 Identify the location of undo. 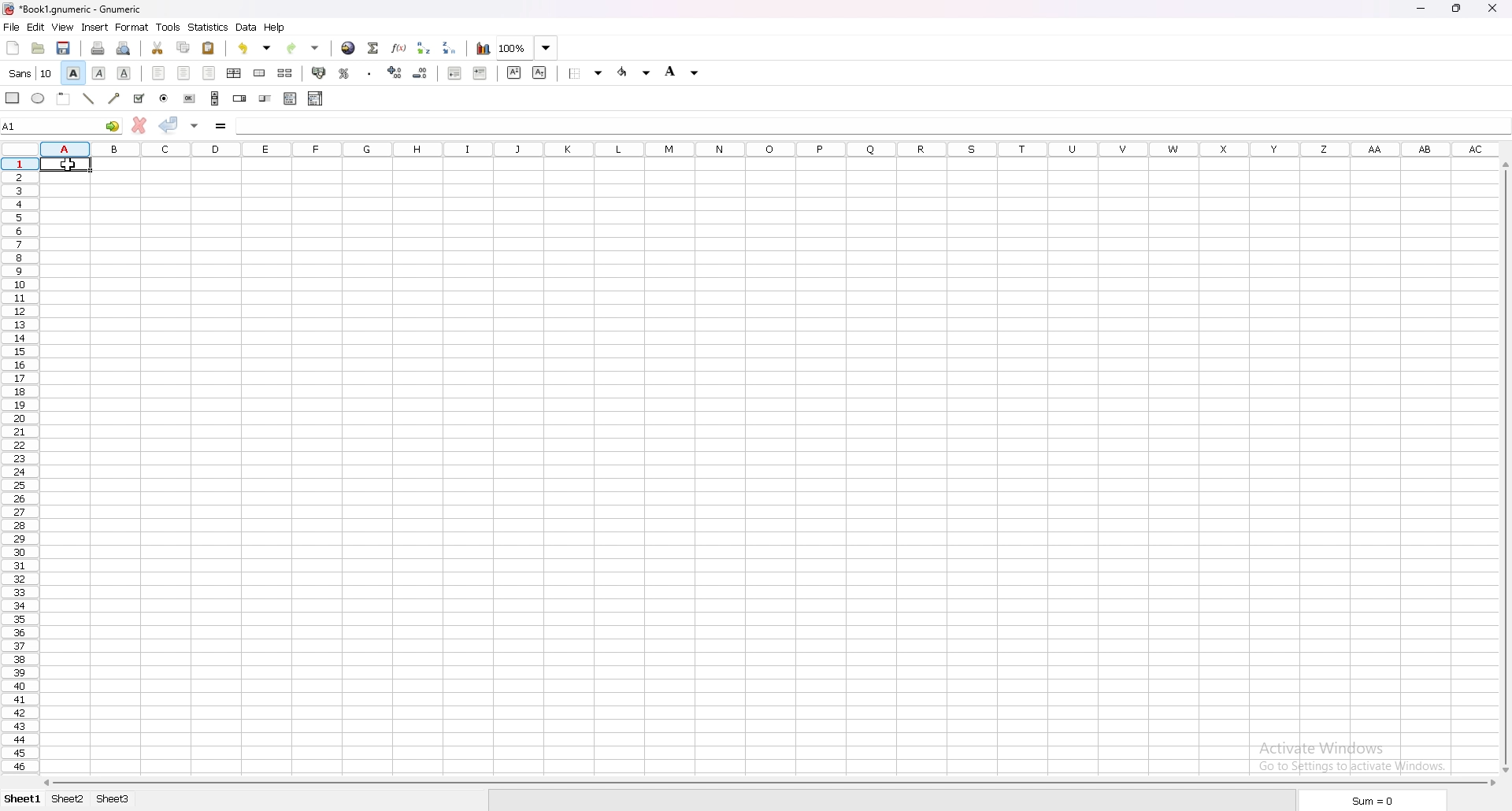
(254, 48).